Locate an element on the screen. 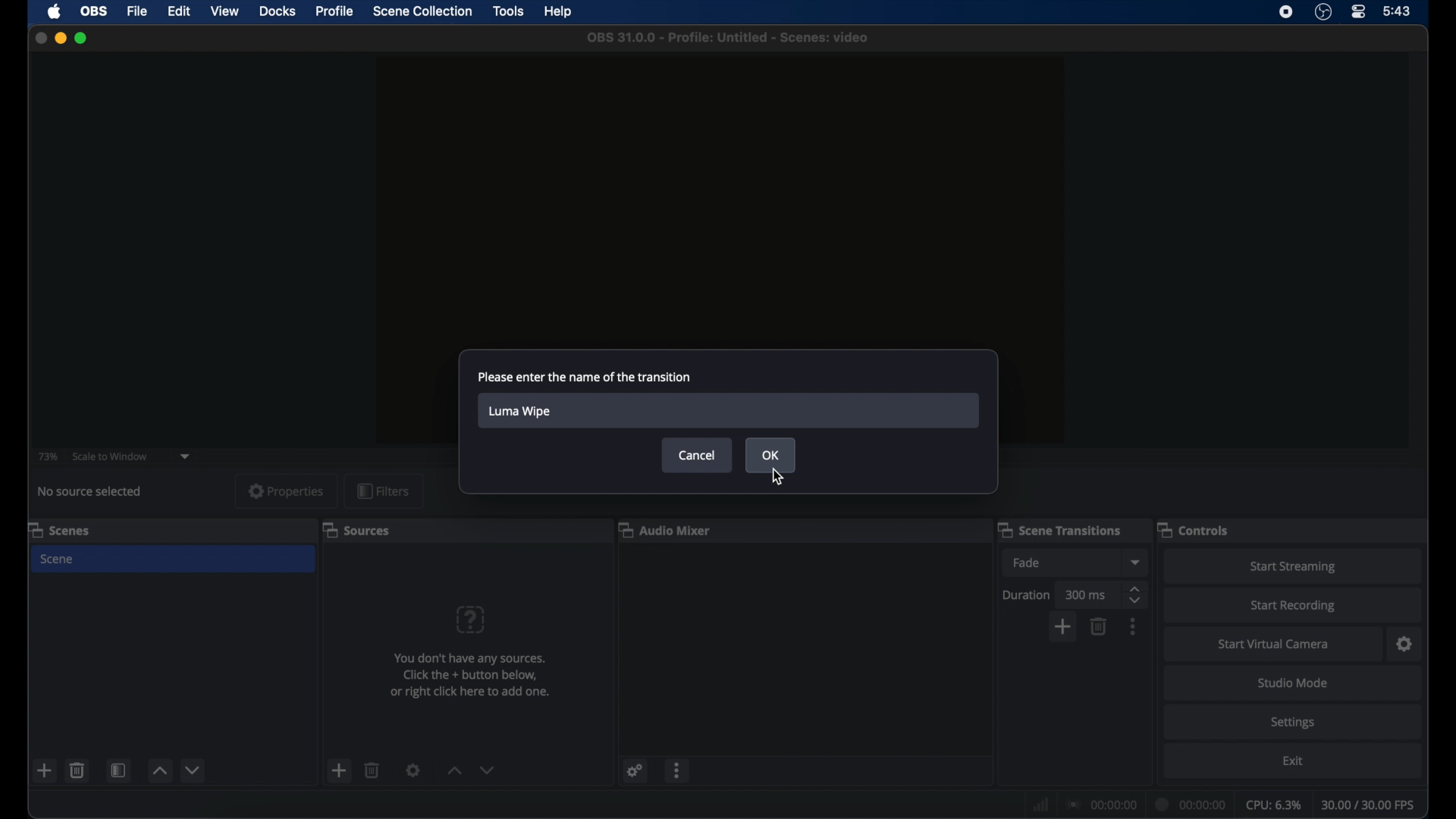 This screenshot has height=819, width=1456. close is located at coordinates (40, 37).